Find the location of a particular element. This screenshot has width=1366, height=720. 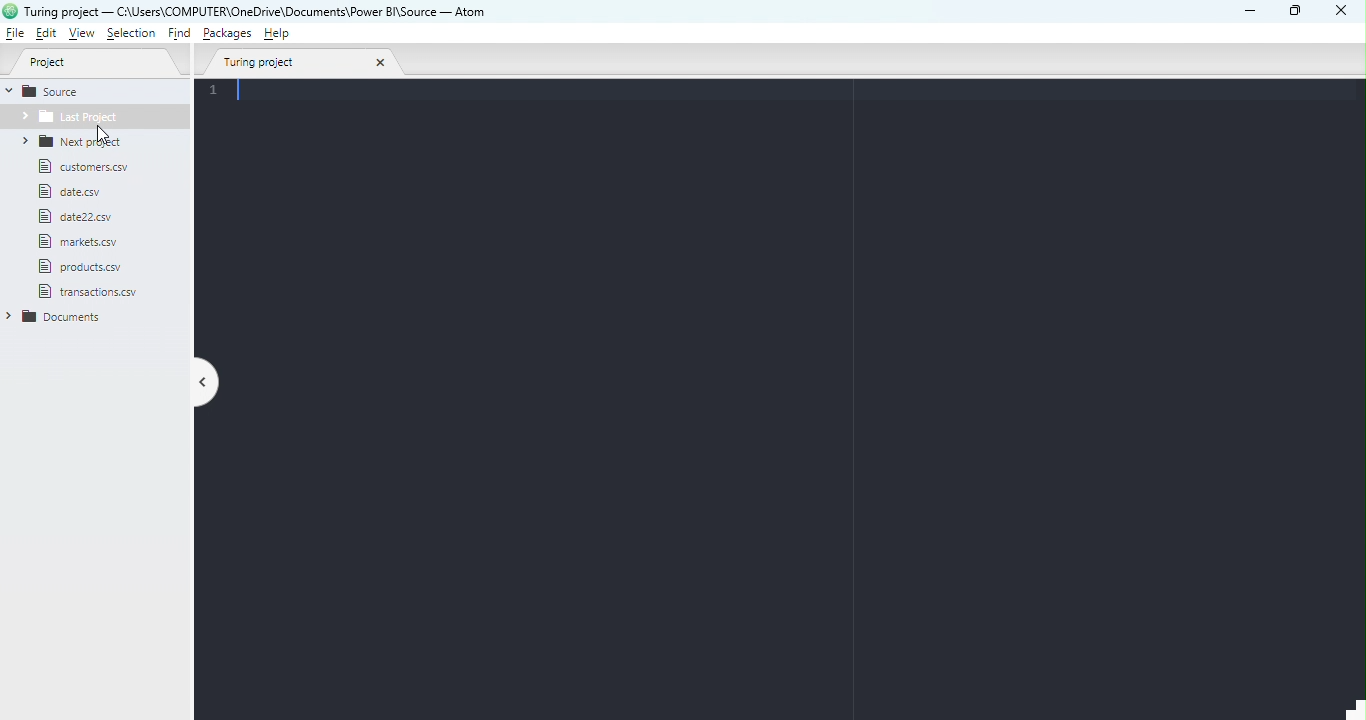

Folder is located at coordinates (81, 142).